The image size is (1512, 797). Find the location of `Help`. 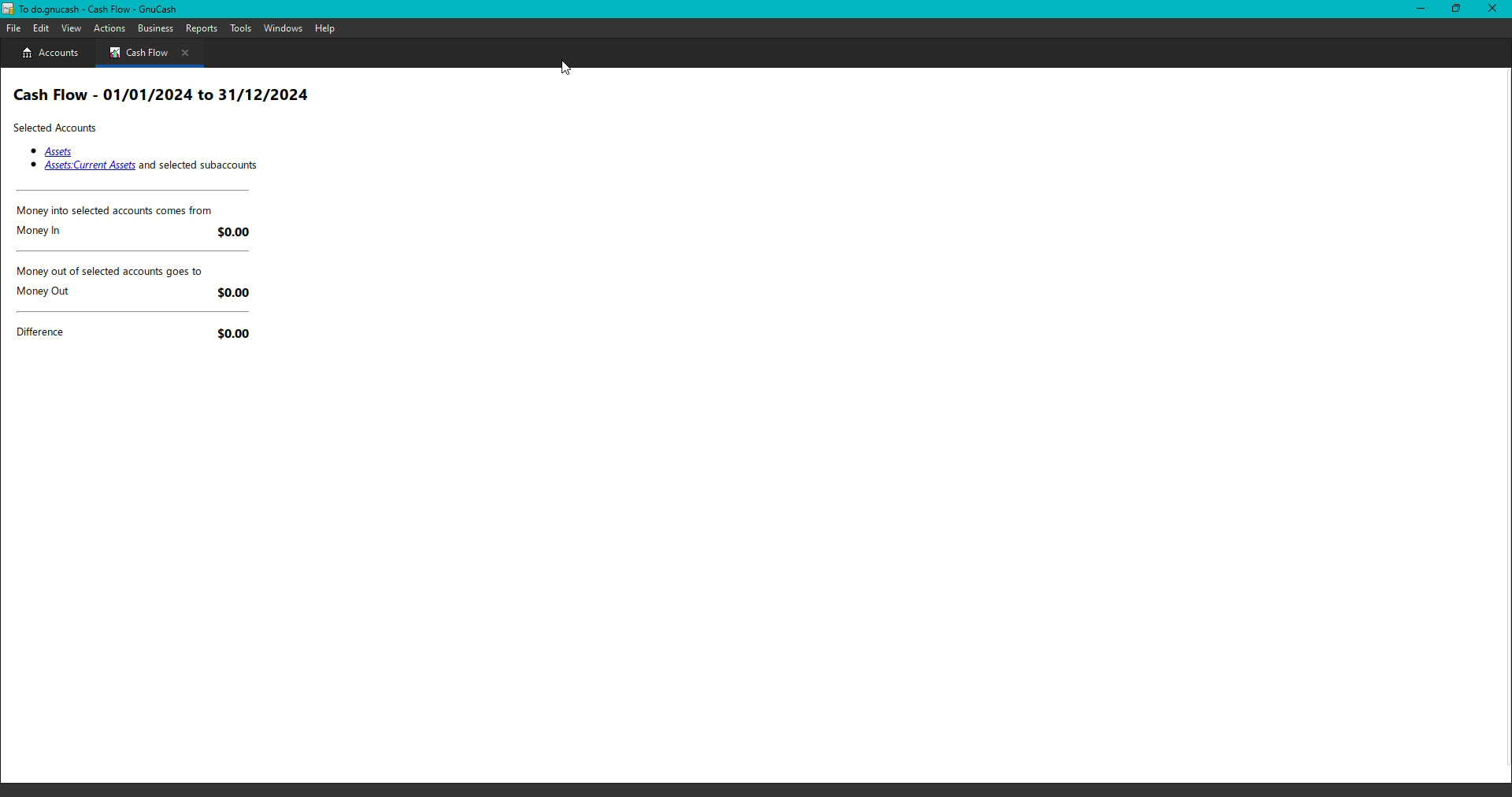

Help is located at coordinates (326, 28).